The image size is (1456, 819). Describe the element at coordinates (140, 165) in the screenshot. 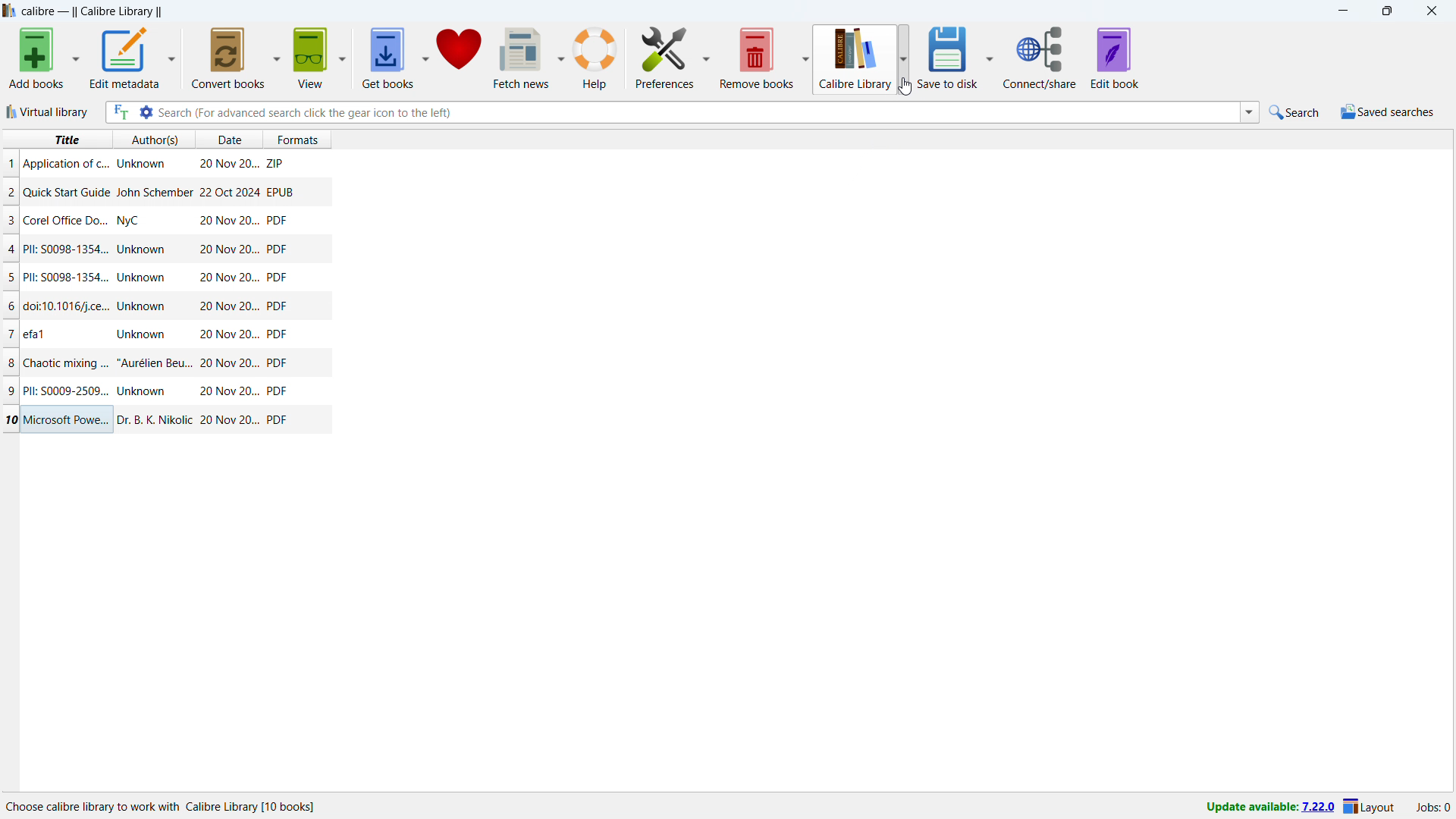

I see `Author` at that location.